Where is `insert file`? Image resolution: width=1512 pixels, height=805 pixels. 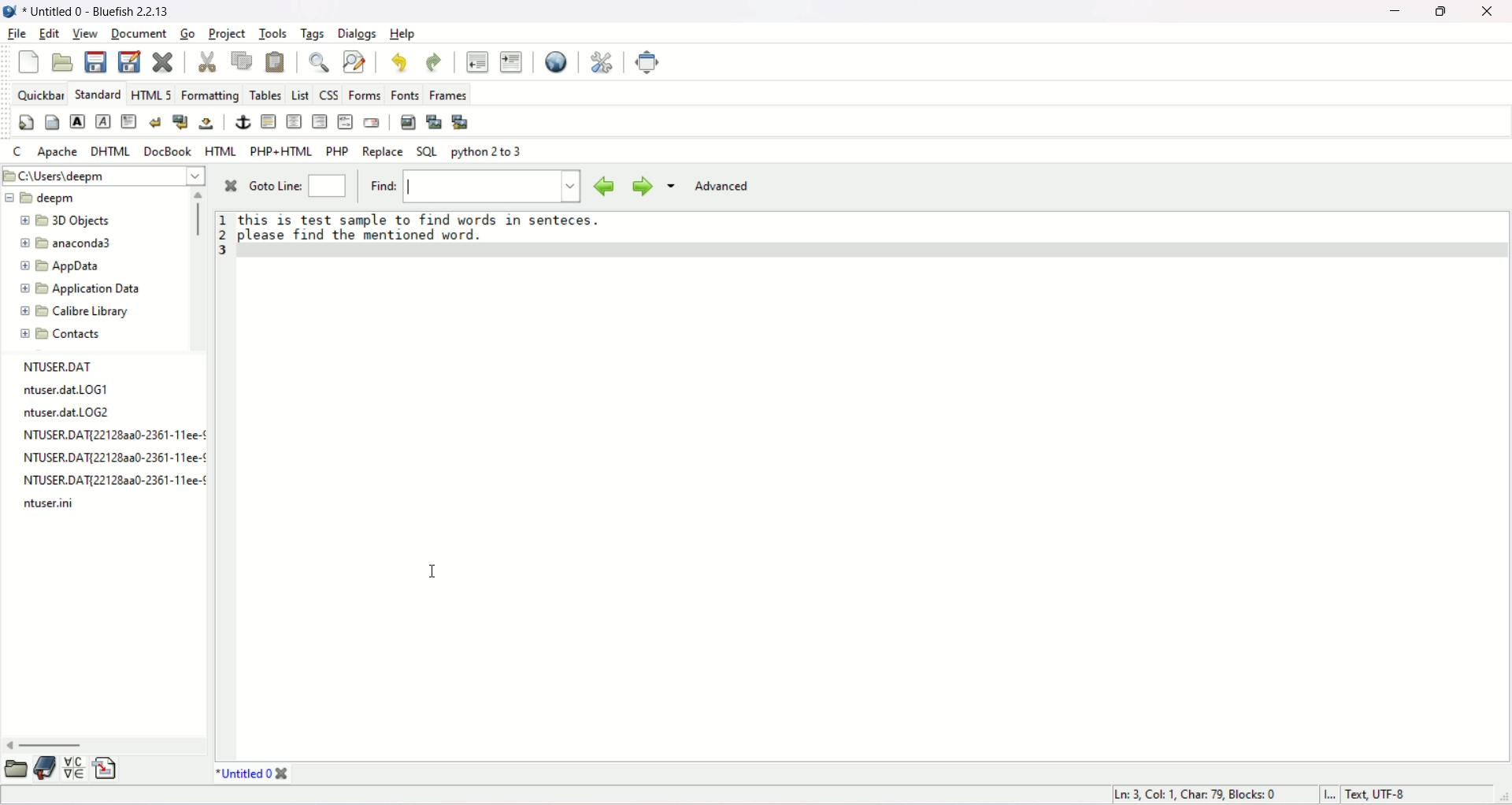
insert file is located at coordinates (107, 770).